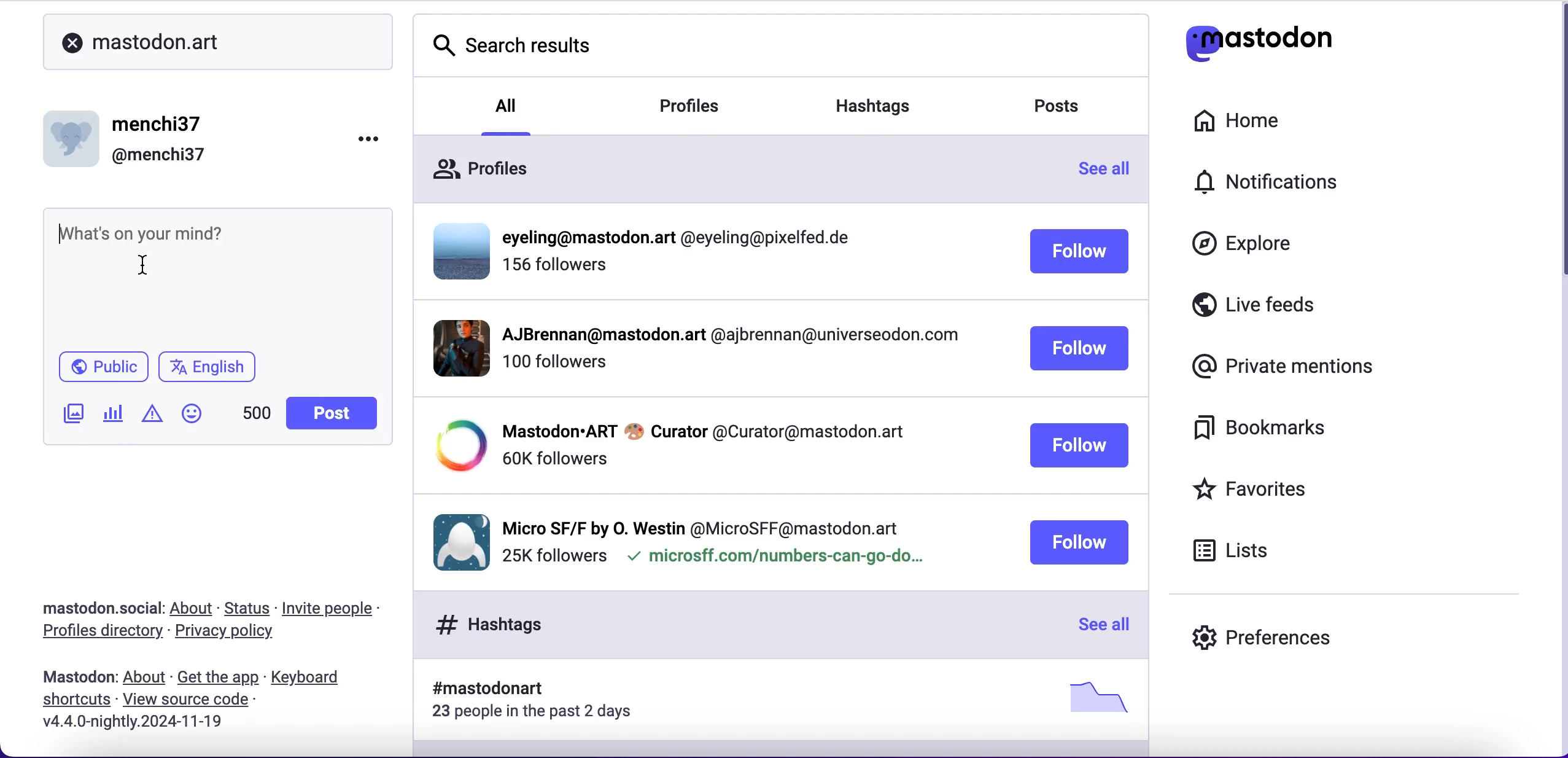  I want to click on add emoji, so click(192, 419).